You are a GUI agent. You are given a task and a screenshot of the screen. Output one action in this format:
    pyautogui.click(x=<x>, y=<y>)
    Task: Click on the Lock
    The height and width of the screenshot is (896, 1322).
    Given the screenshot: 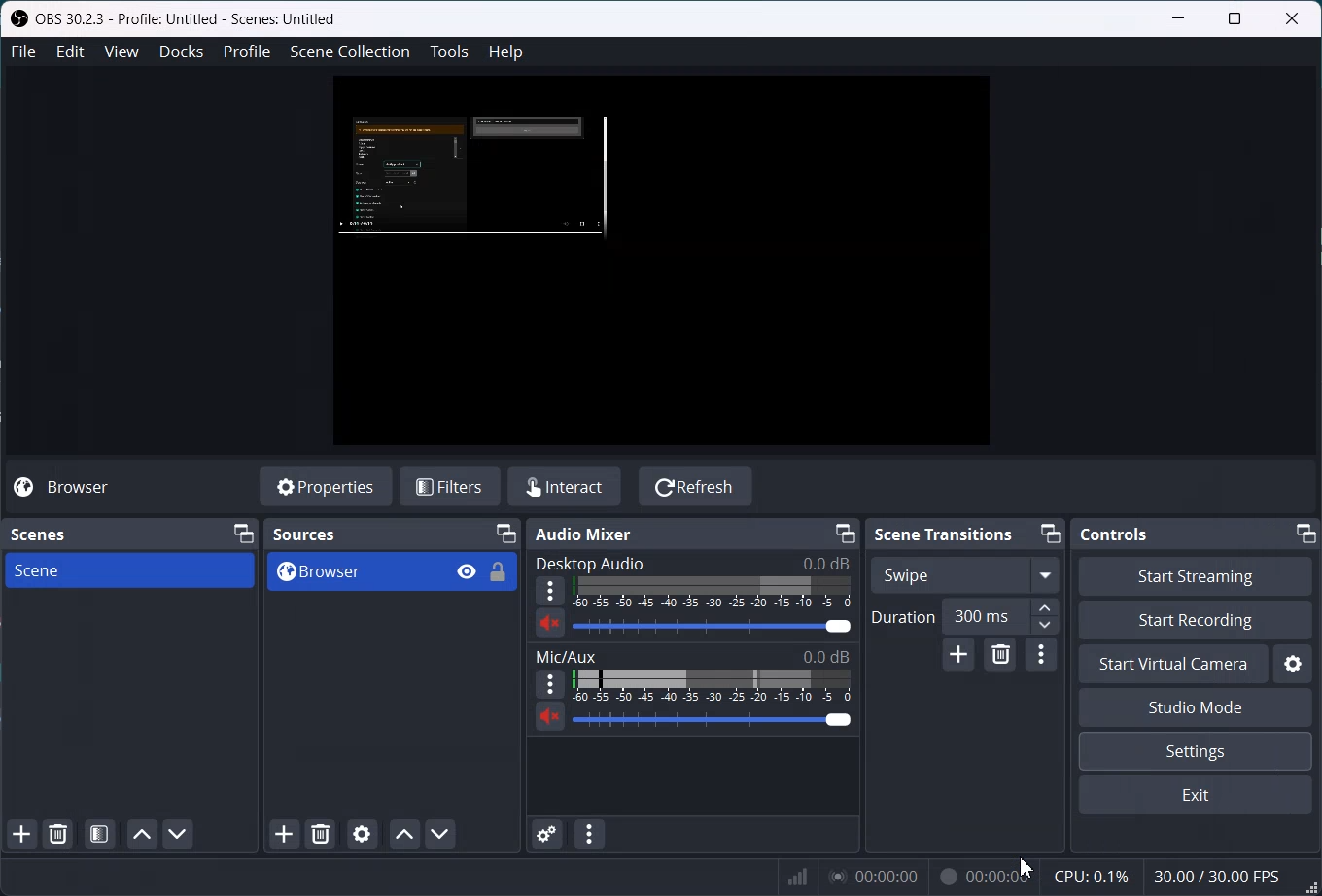 What is the action you would take?
    pyautogui.click(x=499, y=571)
    